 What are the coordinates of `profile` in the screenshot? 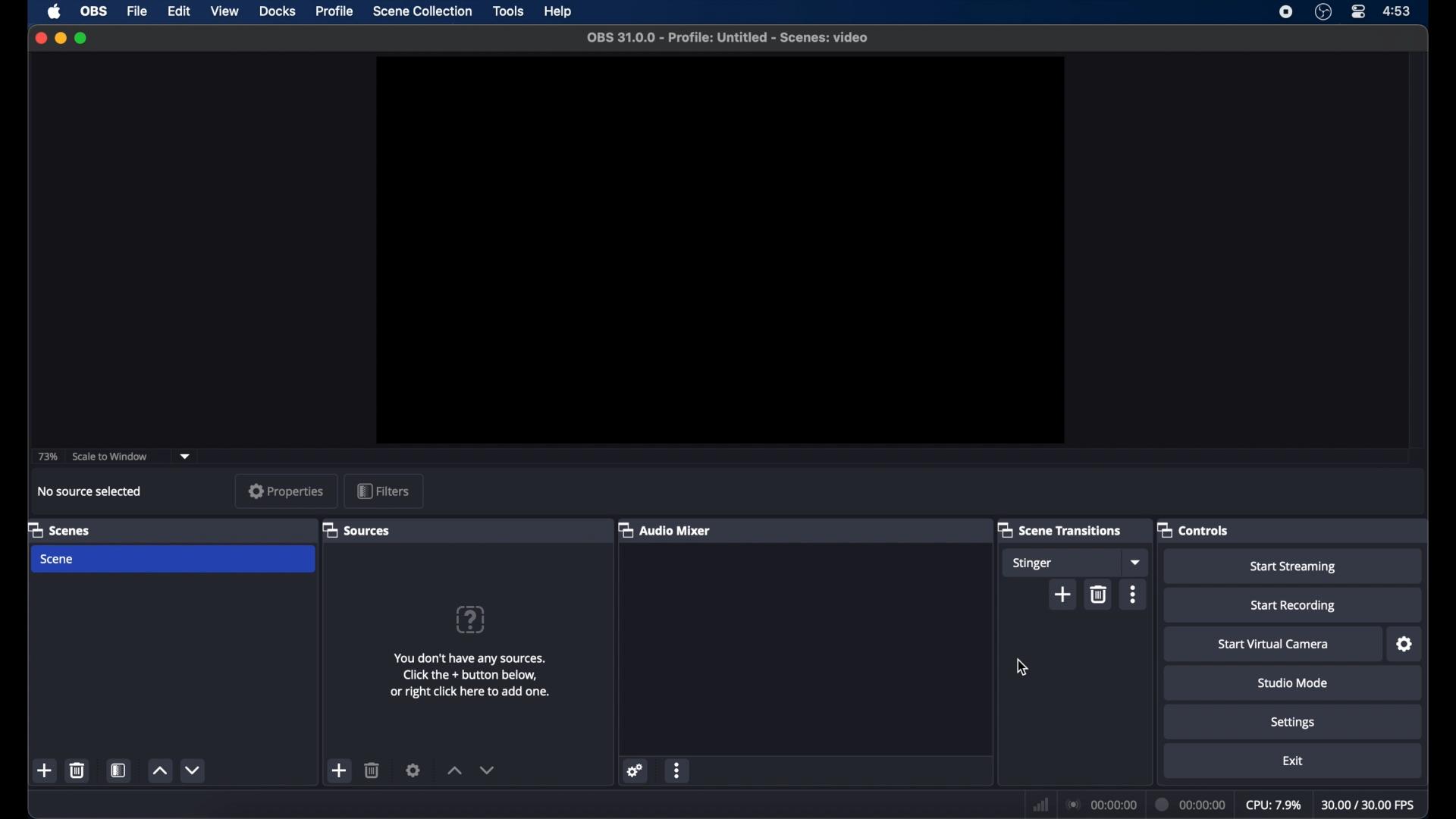 It's located at (333, 11).